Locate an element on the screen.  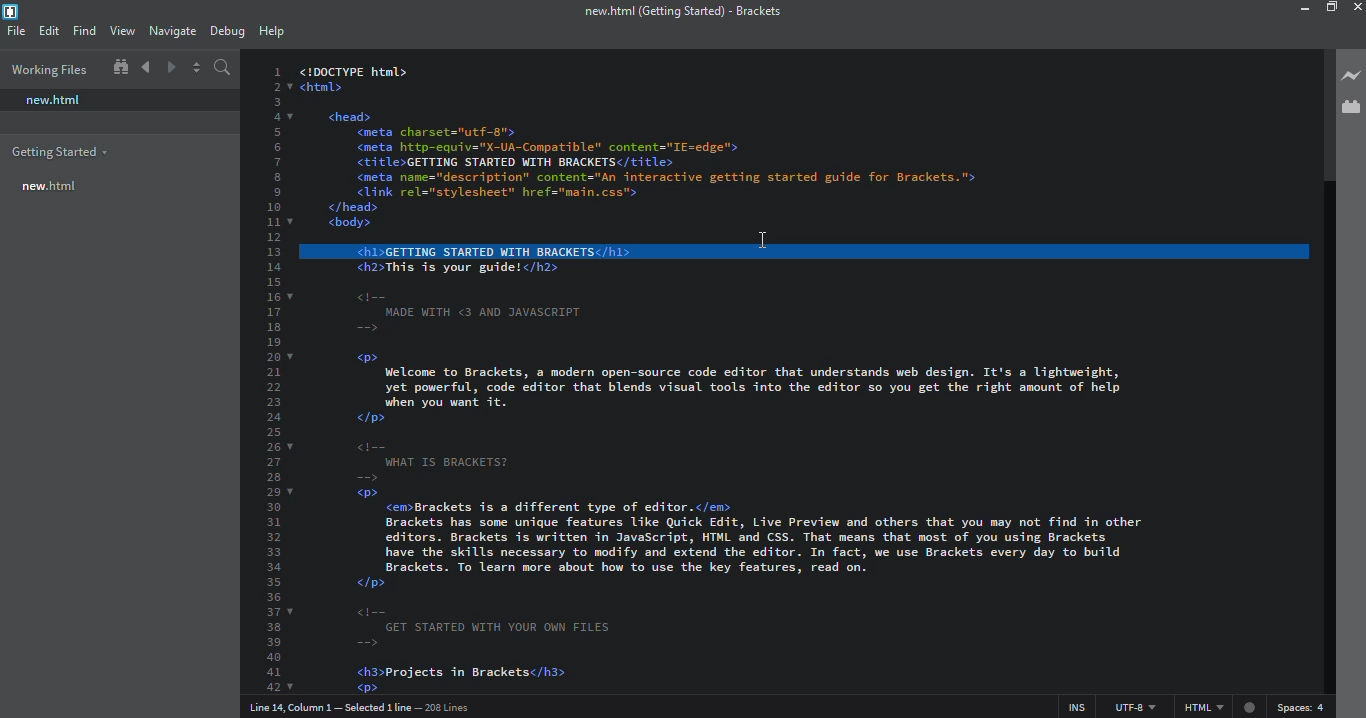
test code is located at coordinates (726, 146).